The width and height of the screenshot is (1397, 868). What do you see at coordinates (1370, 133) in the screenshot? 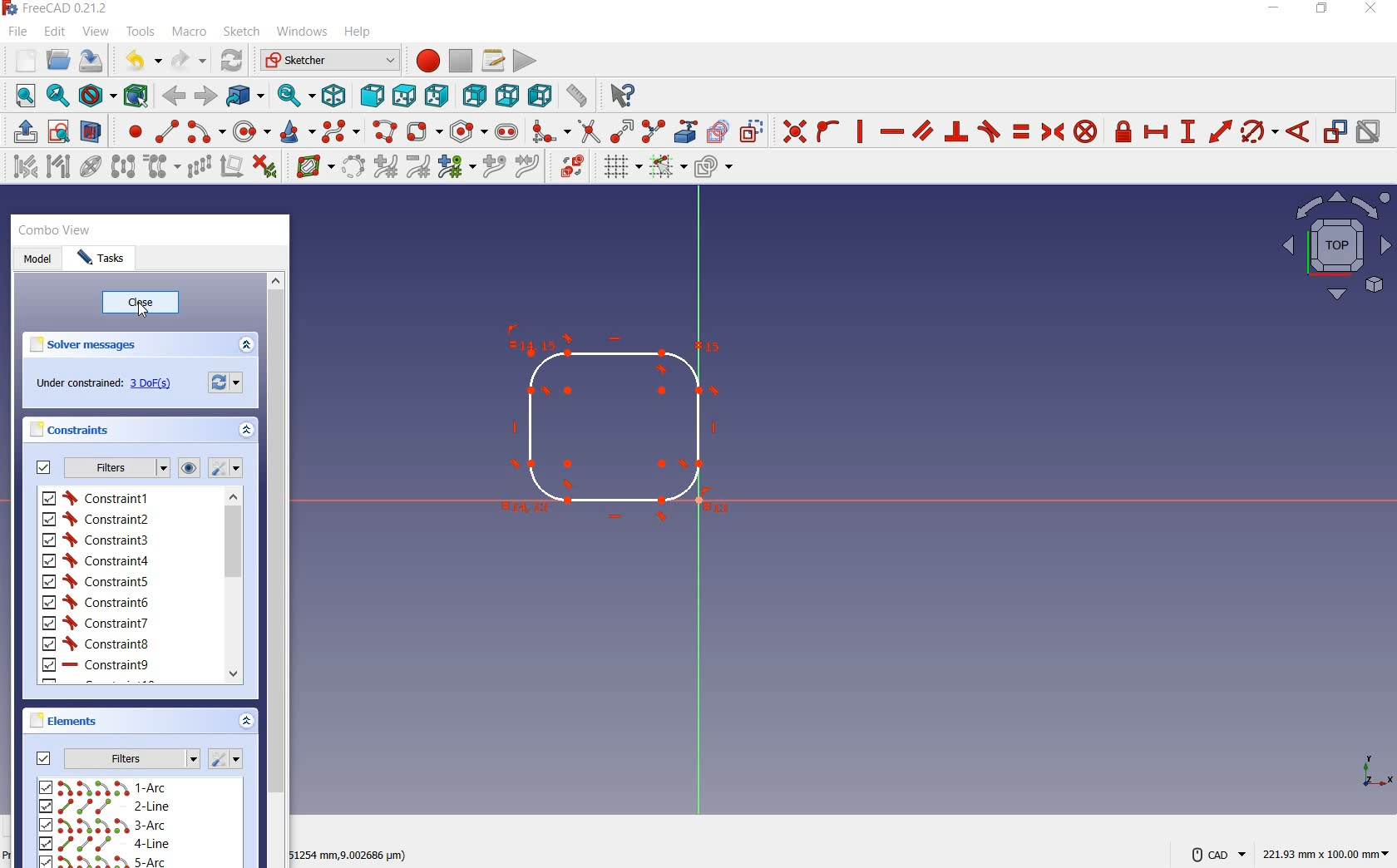
I see `activate/deactivate constraint` at bounding box center [1370, 133].